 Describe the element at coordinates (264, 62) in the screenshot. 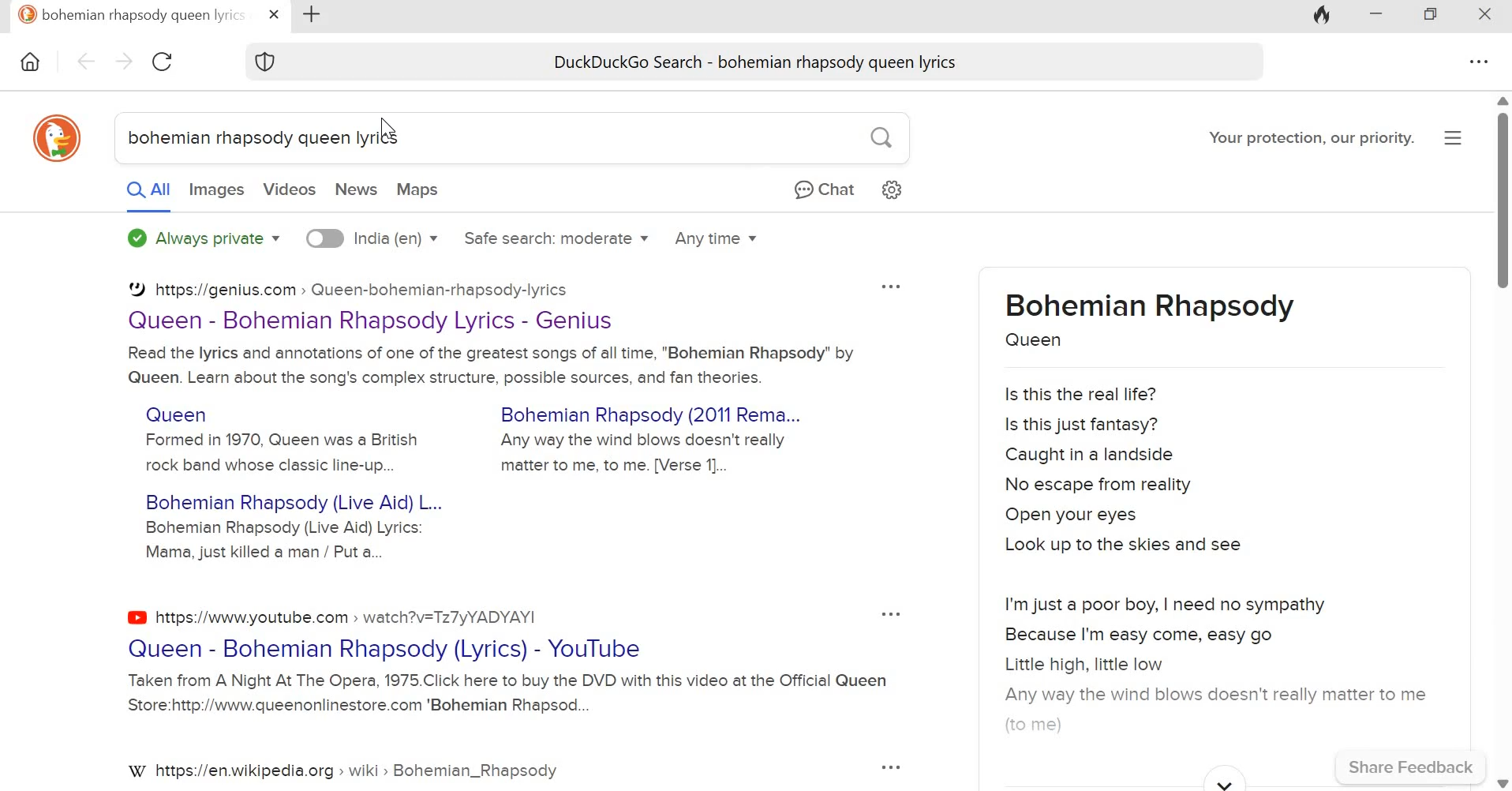

I see `Shield` at that location.